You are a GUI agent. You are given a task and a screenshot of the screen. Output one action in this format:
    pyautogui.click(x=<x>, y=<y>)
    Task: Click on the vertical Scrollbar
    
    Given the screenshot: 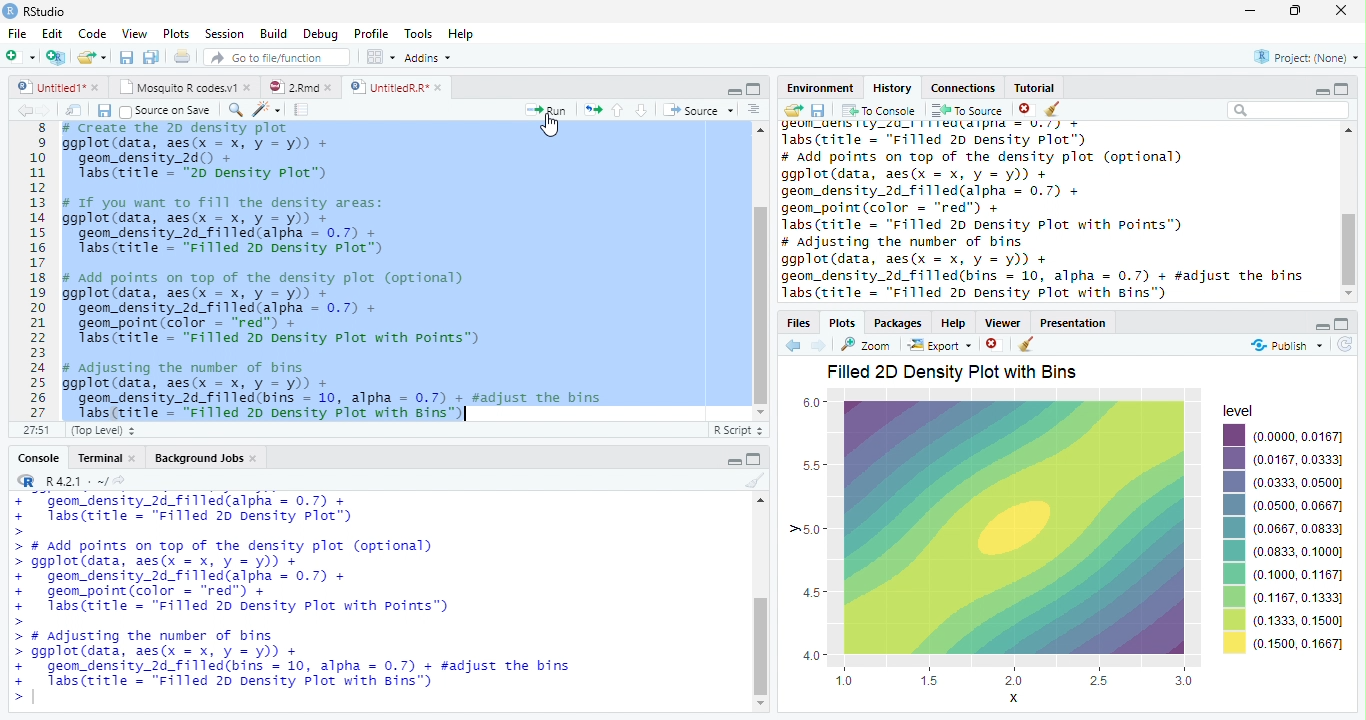 What is the action you would take?
    pyautogui.click(x=758, y=646)
    